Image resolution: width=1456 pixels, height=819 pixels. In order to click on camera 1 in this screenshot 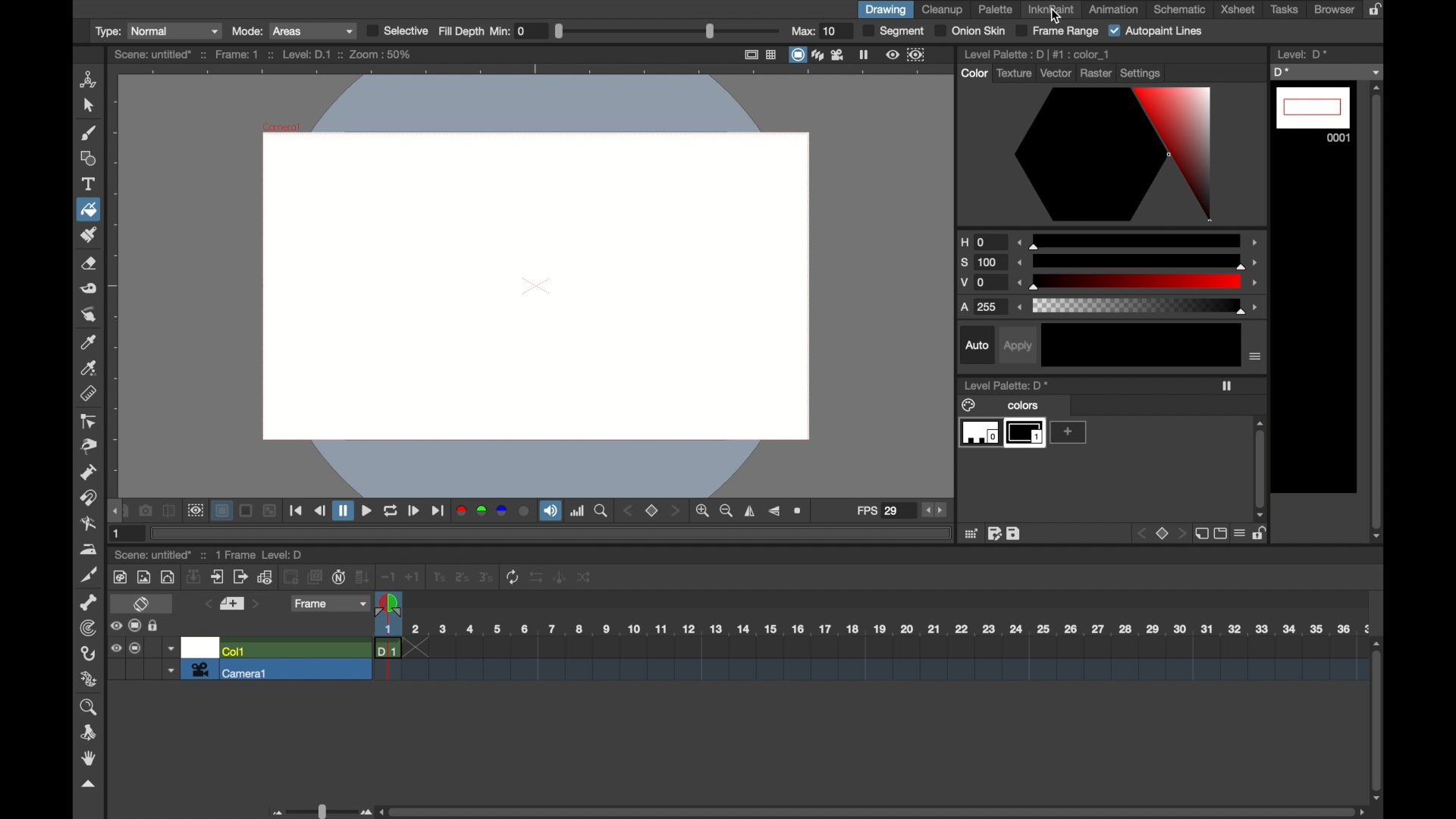, I will do `click(231, 670)`.